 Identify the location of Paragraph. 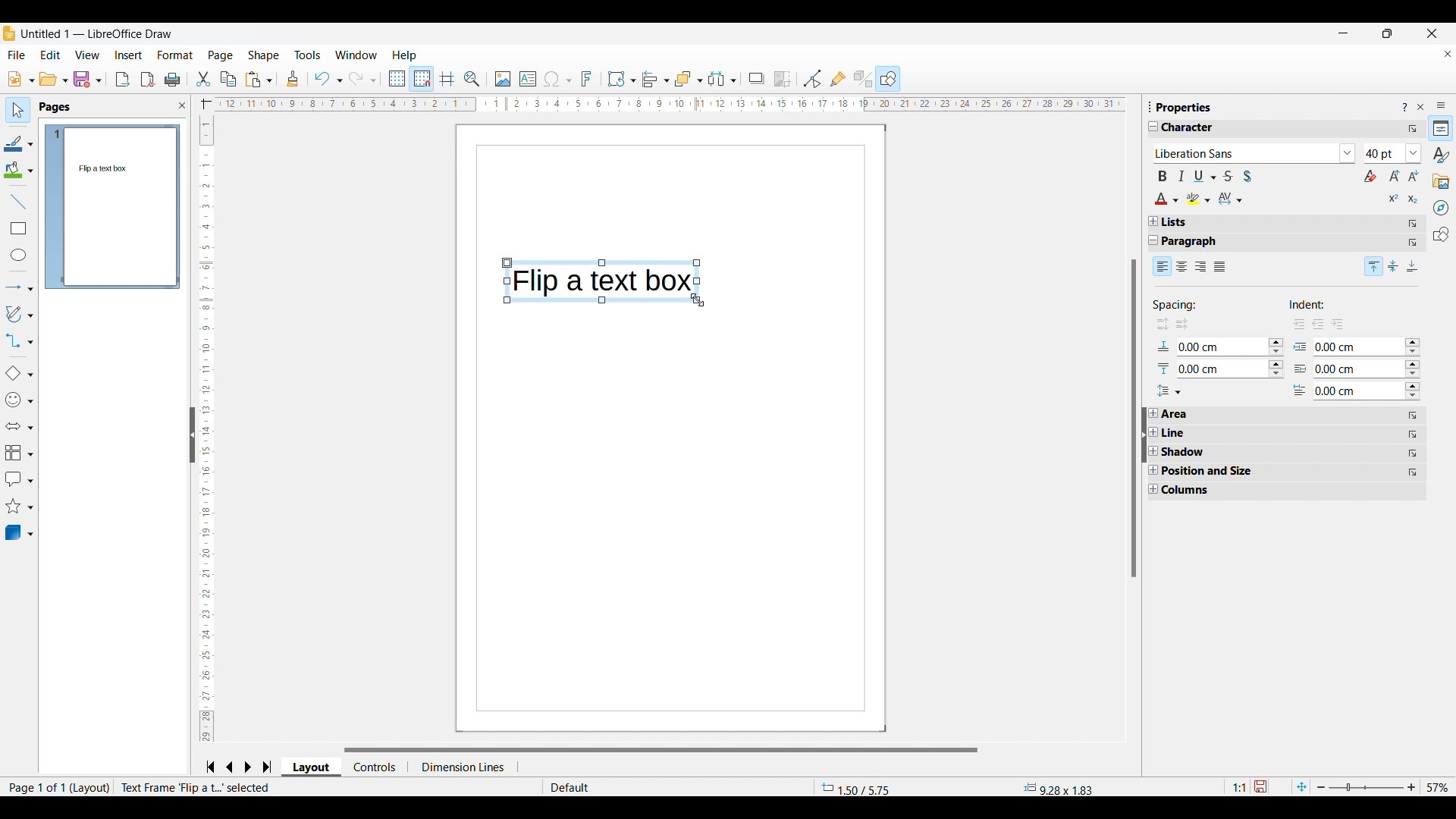
(1197, 242).